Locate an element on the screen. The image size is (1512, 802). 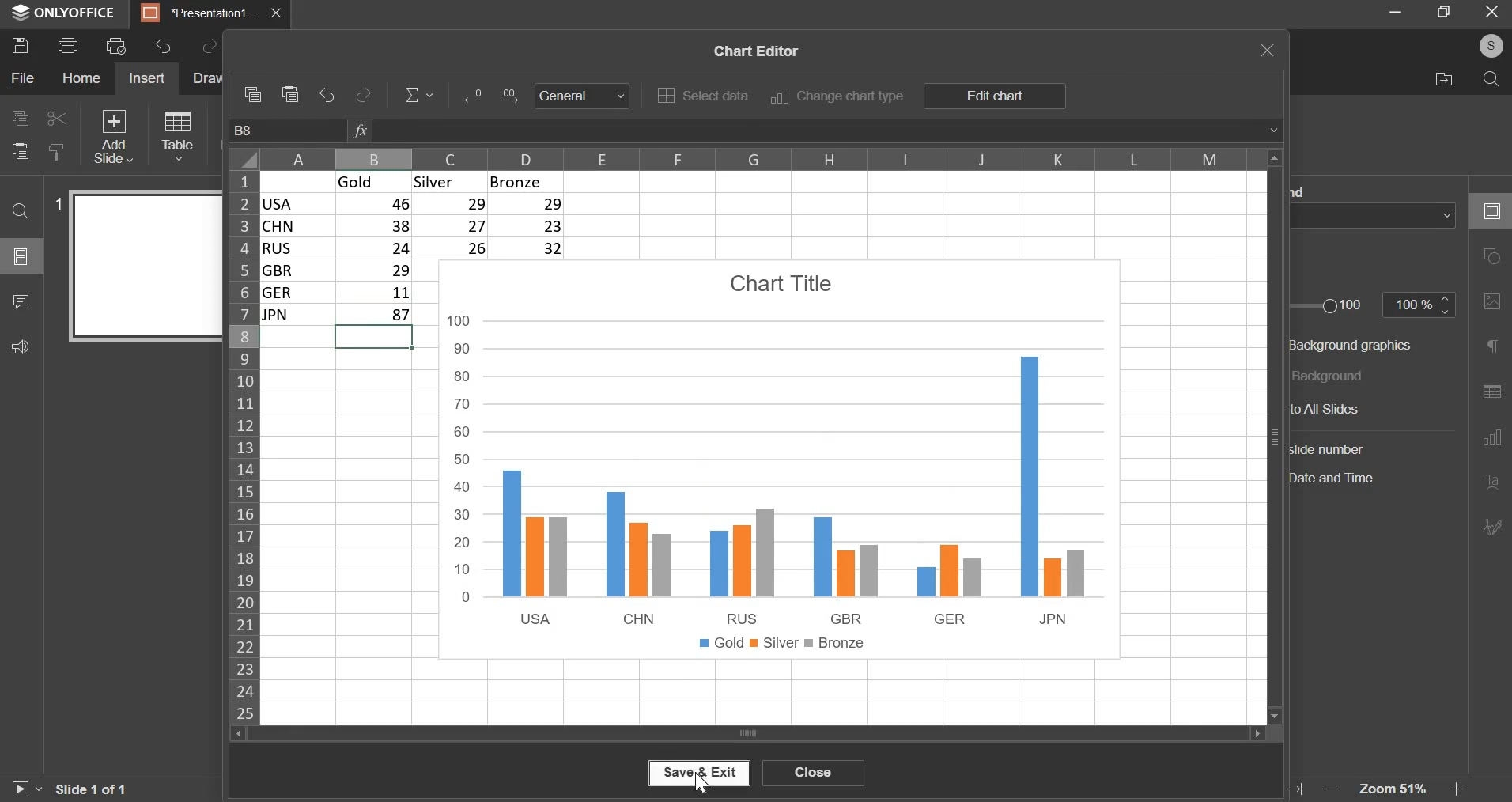
image settings is located at coordinates (1491, 305).